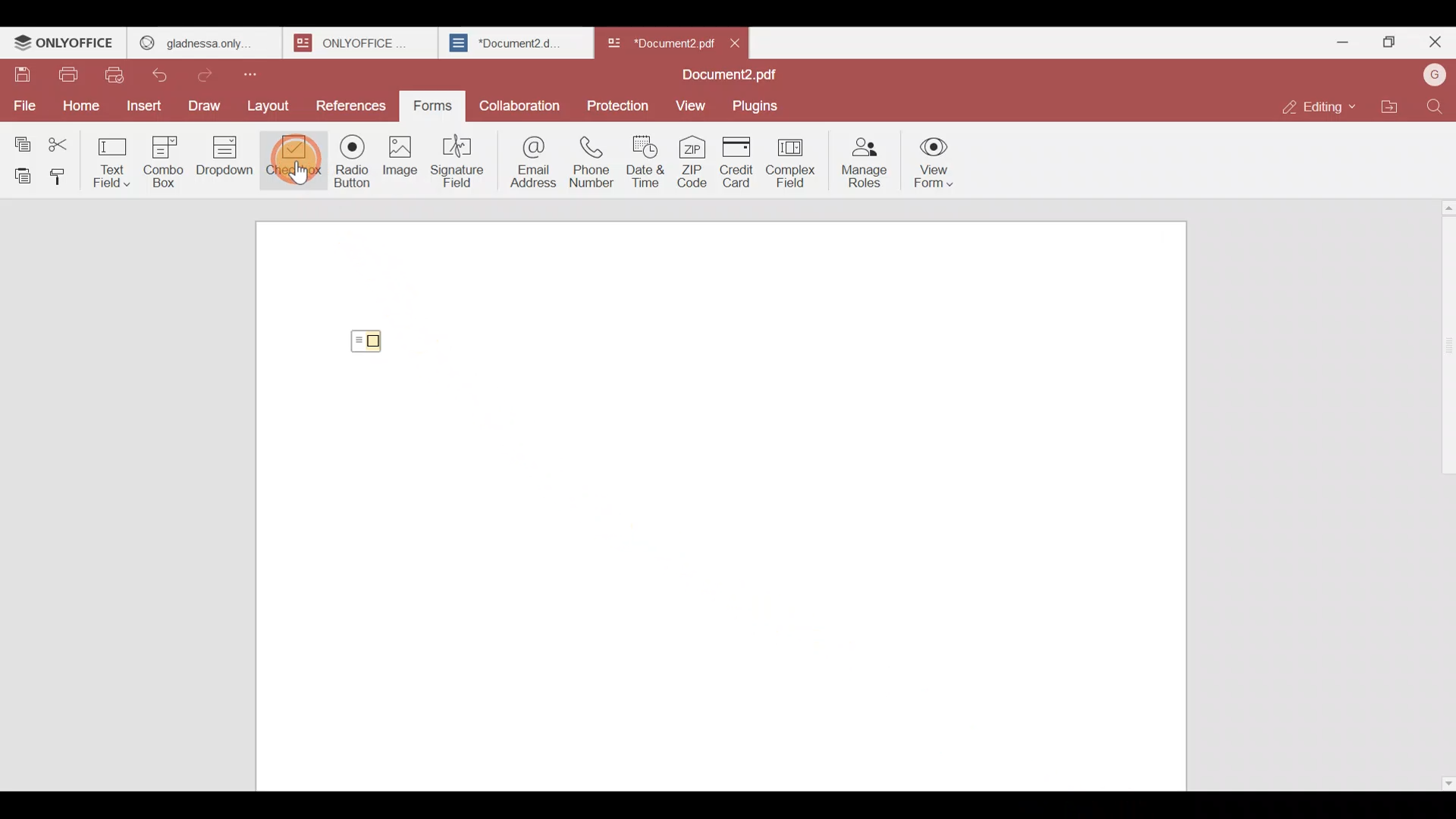  Describe the element at coordinates (1434, 74) in the screenshot. I see `Account name` at that location.